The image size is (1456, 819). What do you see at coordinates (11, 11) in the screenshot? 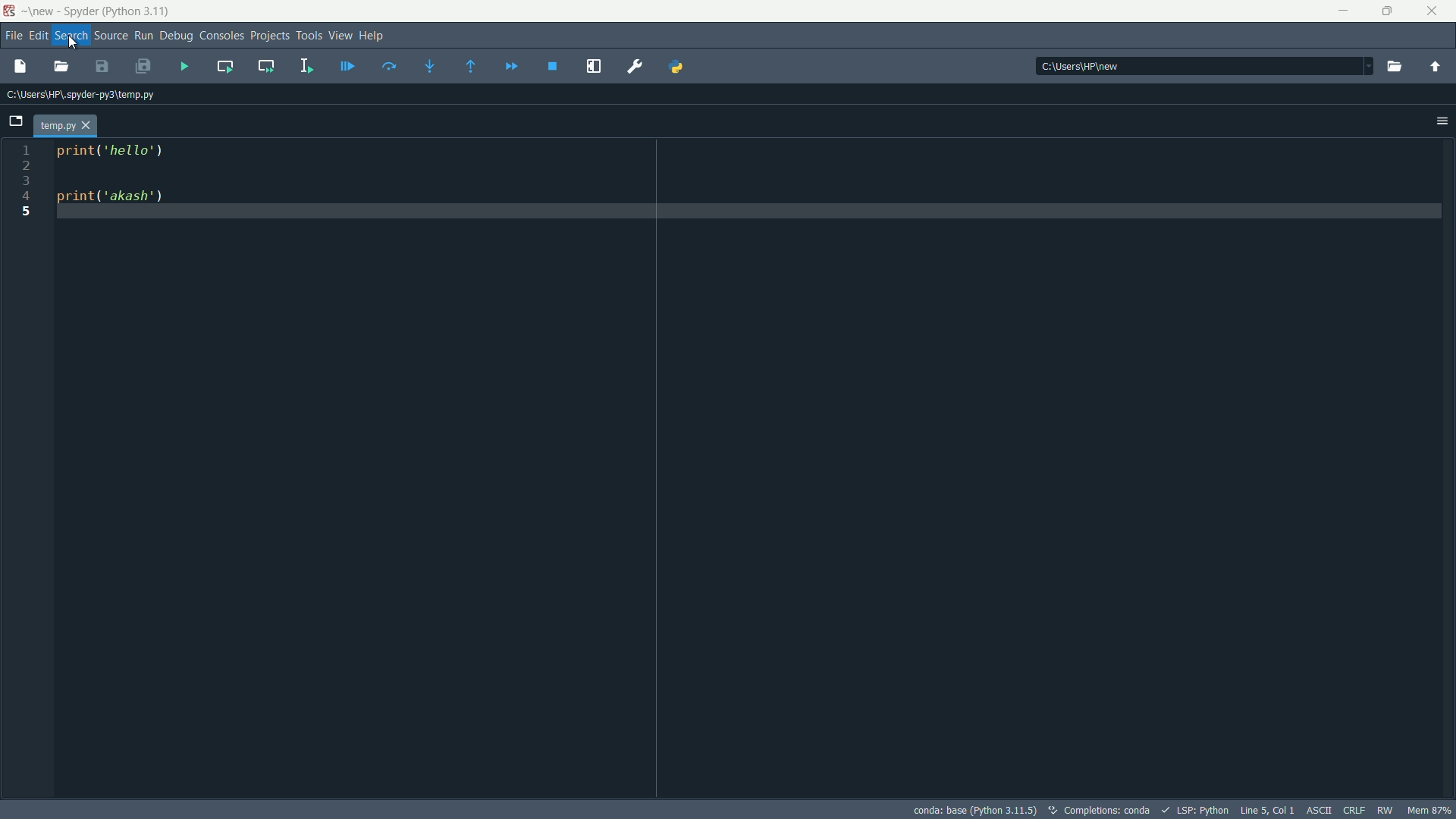
I see `app icon` at bounding box center [11, 11].